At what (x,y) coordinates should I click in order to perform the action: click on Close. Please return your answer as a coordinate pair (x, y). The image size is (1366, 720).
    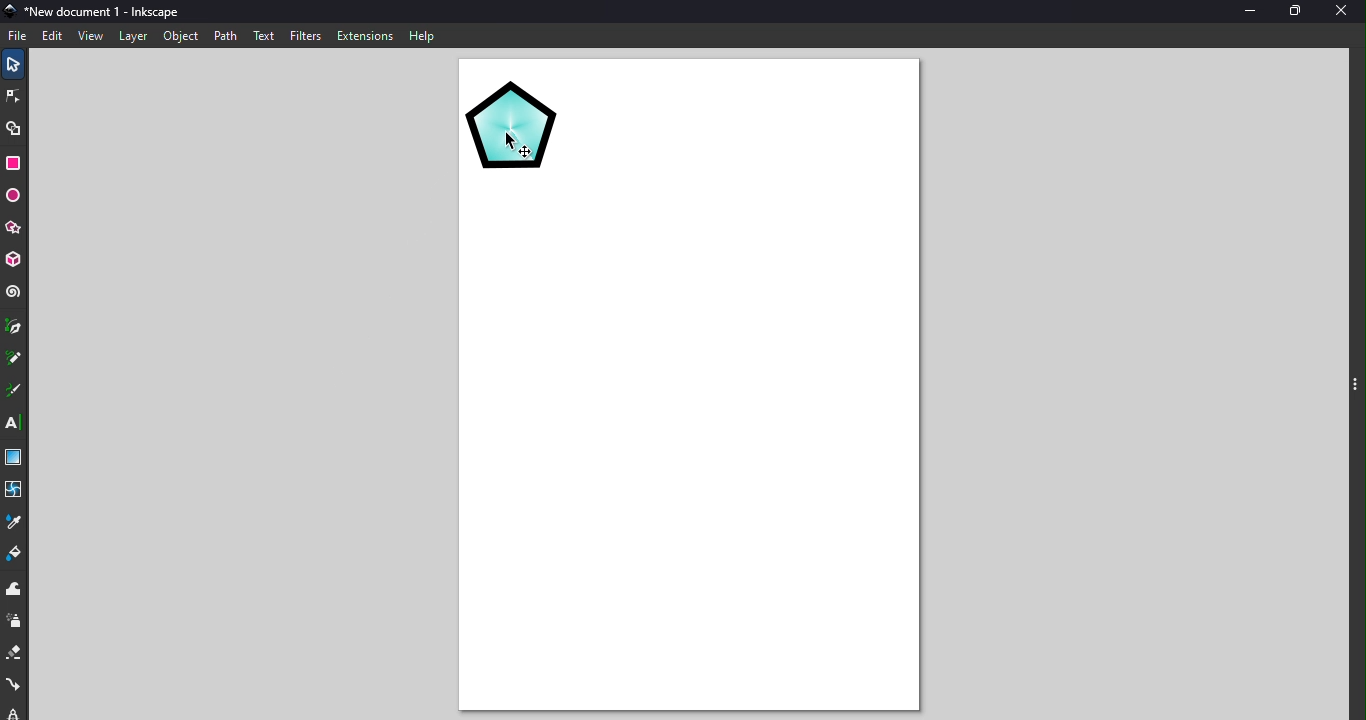
    Looking at the image, I should click on (1345, 11).